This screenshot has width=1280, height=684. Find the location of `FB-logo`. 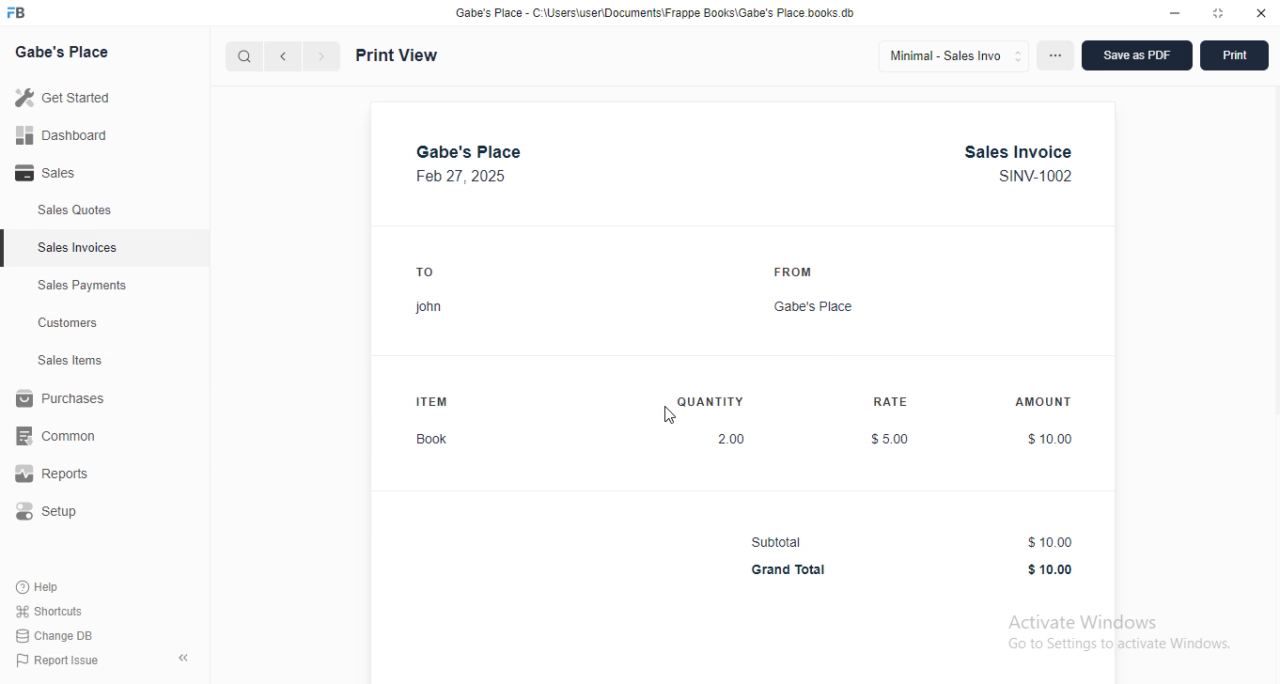

FB-logo is located at coordinates (15, 12).